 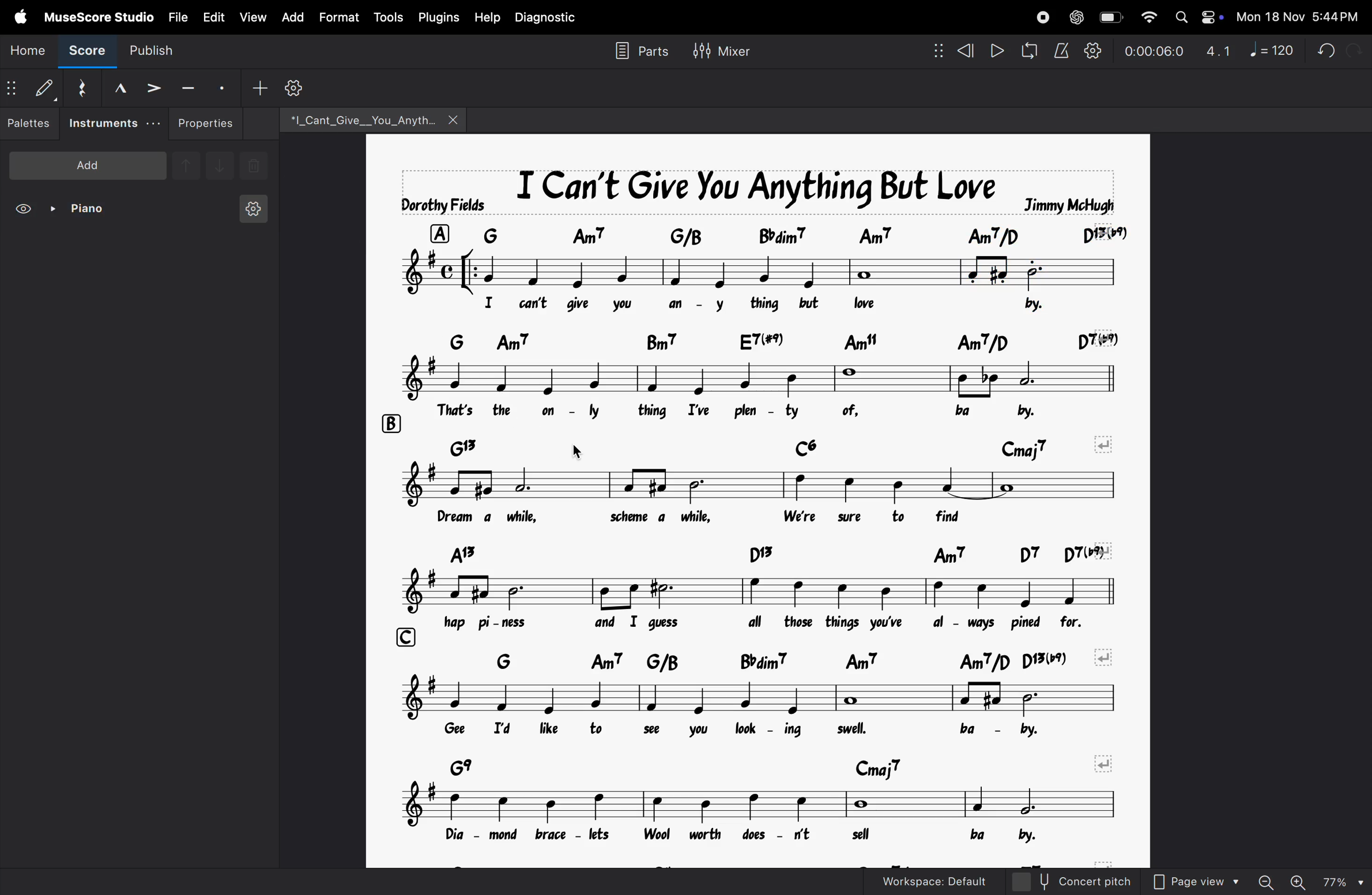 What do you see at coordinates (1108, 17) in the screenshot?
I see `battery` at bounding box center [1108, 17].